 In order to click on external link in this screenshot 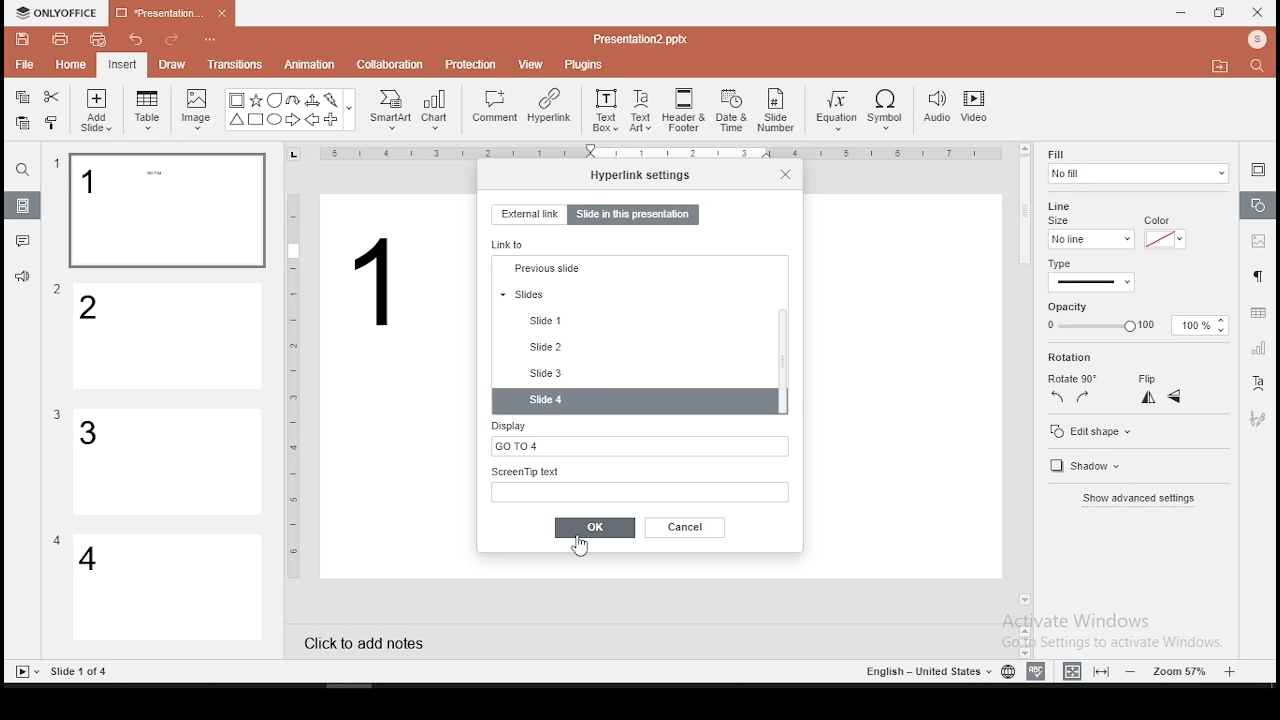, I will do `click(528, 214)`.